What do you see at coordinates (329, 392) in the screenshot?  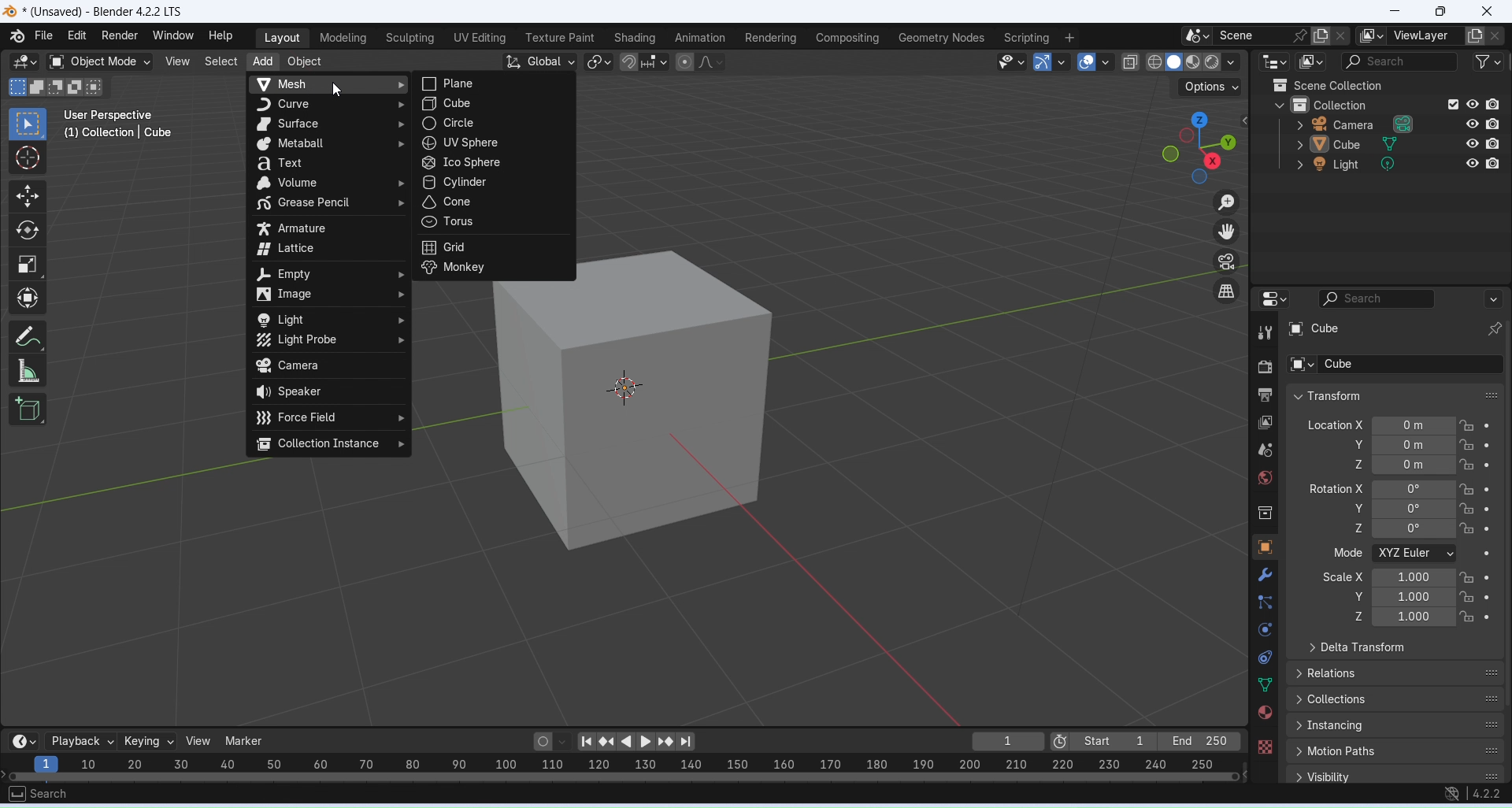 I see `speaker` at bounding box center [329, 392].